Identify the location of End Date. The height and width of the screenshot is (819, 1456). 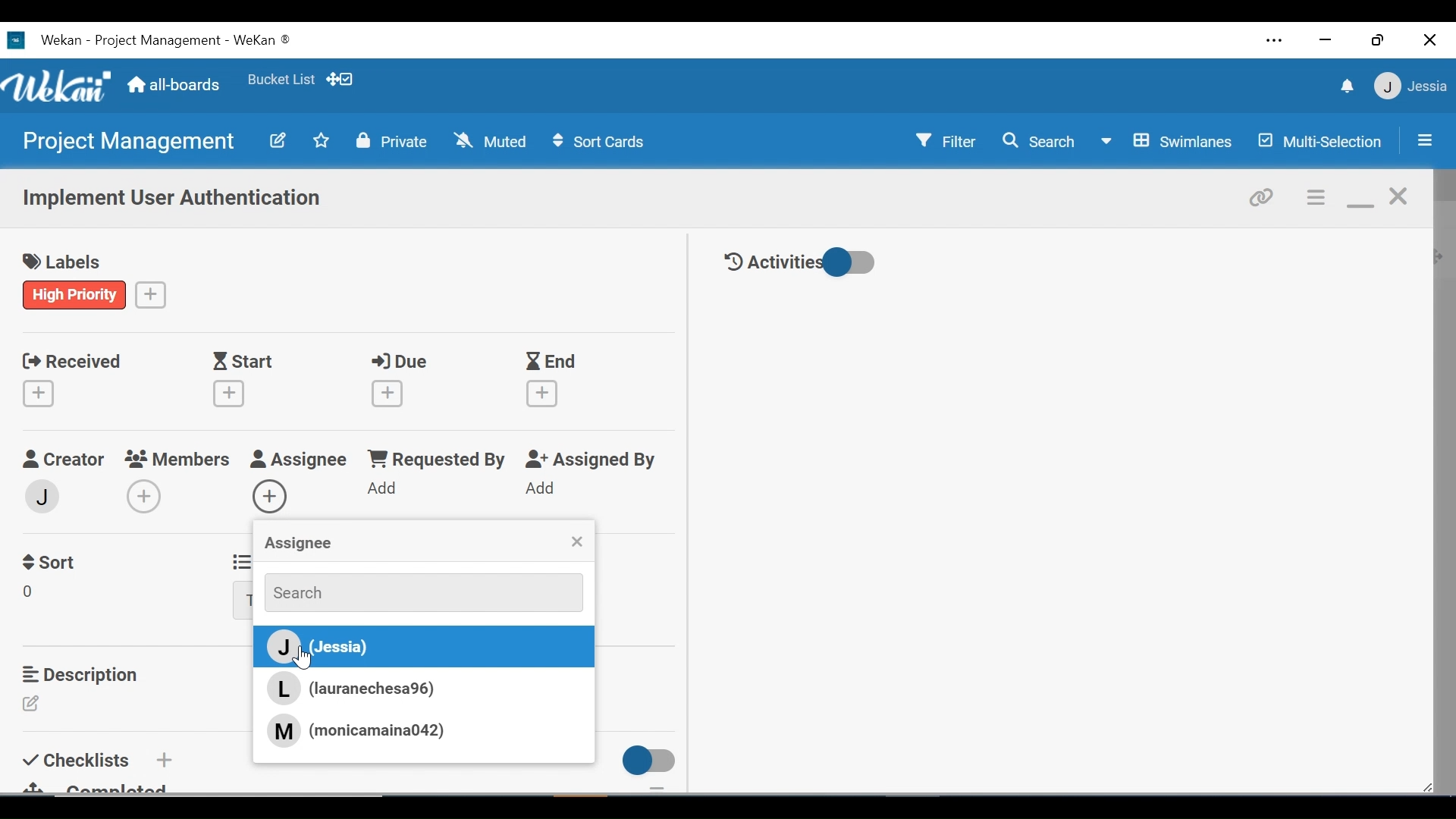
(554, 362).